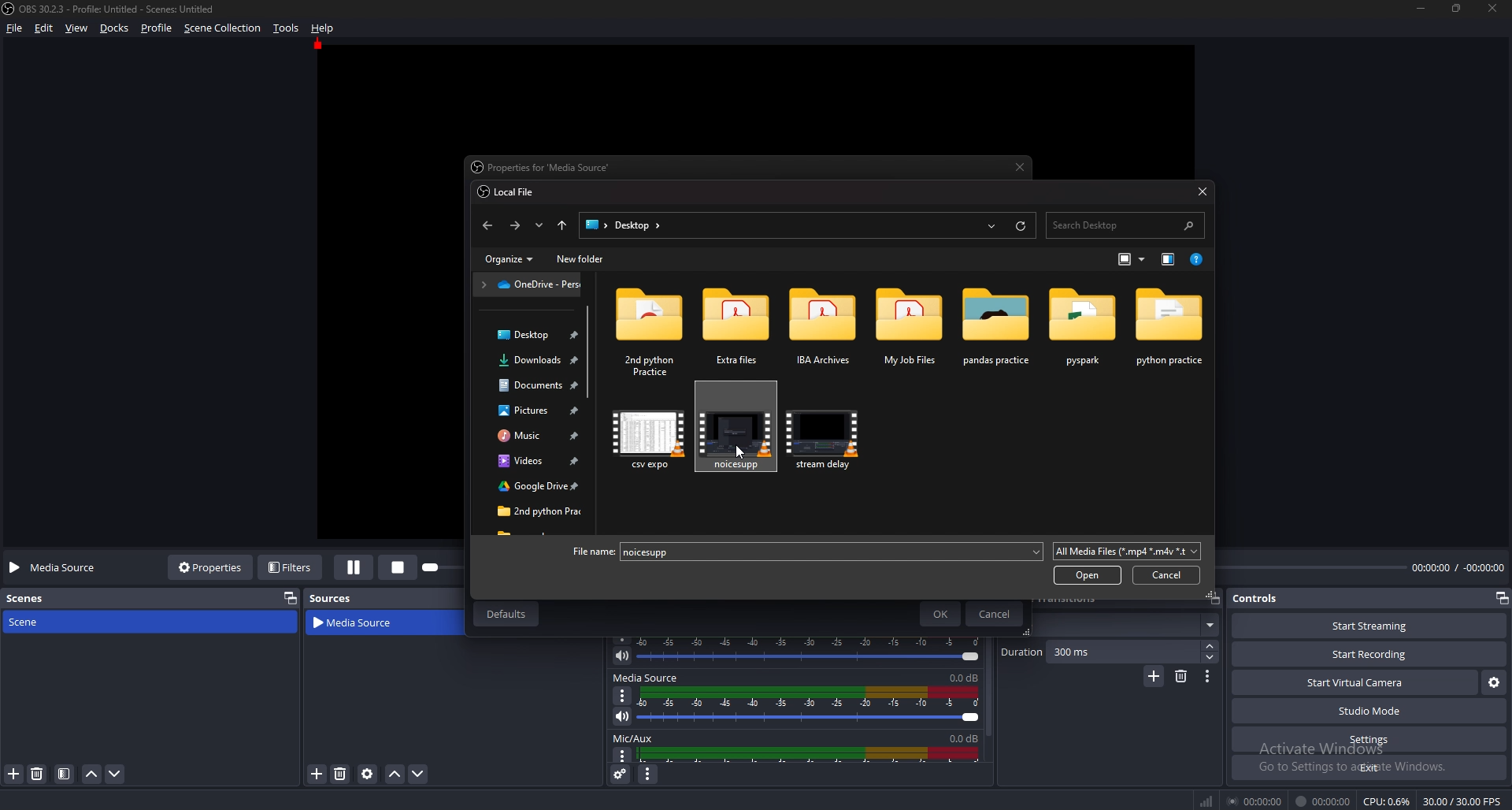  What do you see at coordinates (1372, 626) in the screenshot?
I see `Start streaming` at bounding box center [1372, 626].